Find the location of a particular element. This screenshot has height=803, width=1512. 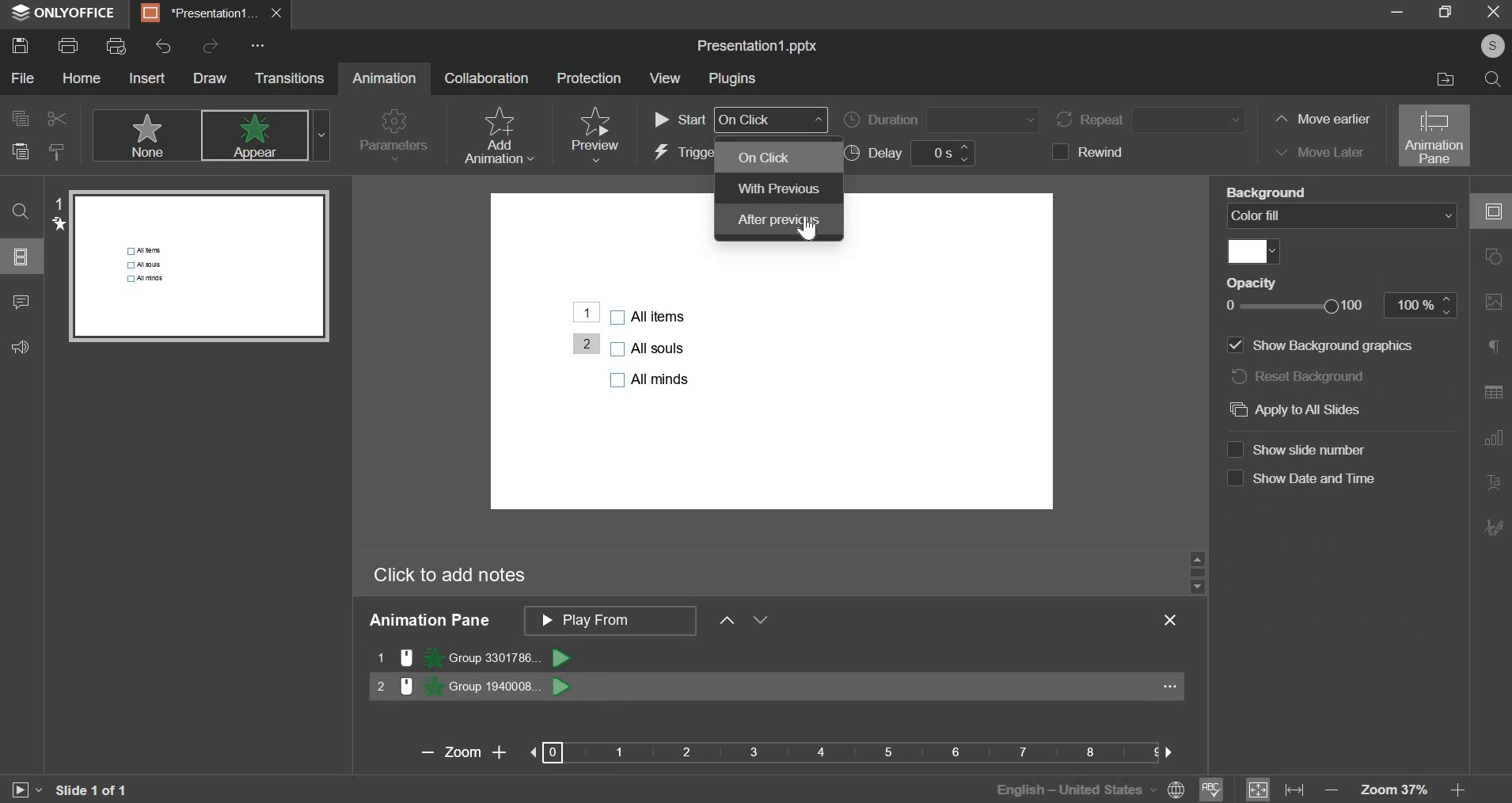

show slide number is located at coordinates (1297, 450).